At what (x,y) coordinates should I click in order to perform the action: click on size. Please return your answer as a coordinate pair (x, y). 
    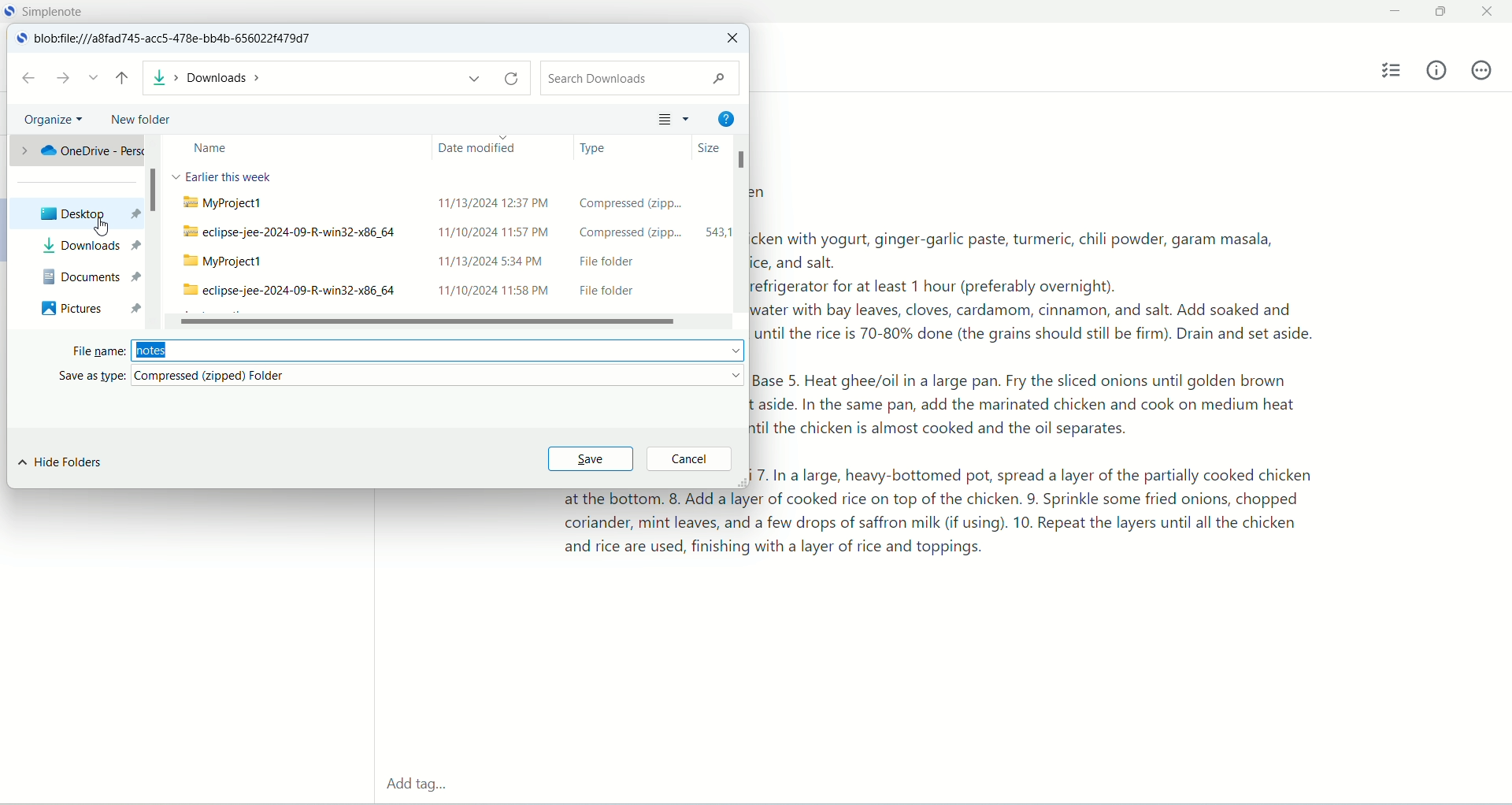
    Looking at the image, I should click on (701, 149).